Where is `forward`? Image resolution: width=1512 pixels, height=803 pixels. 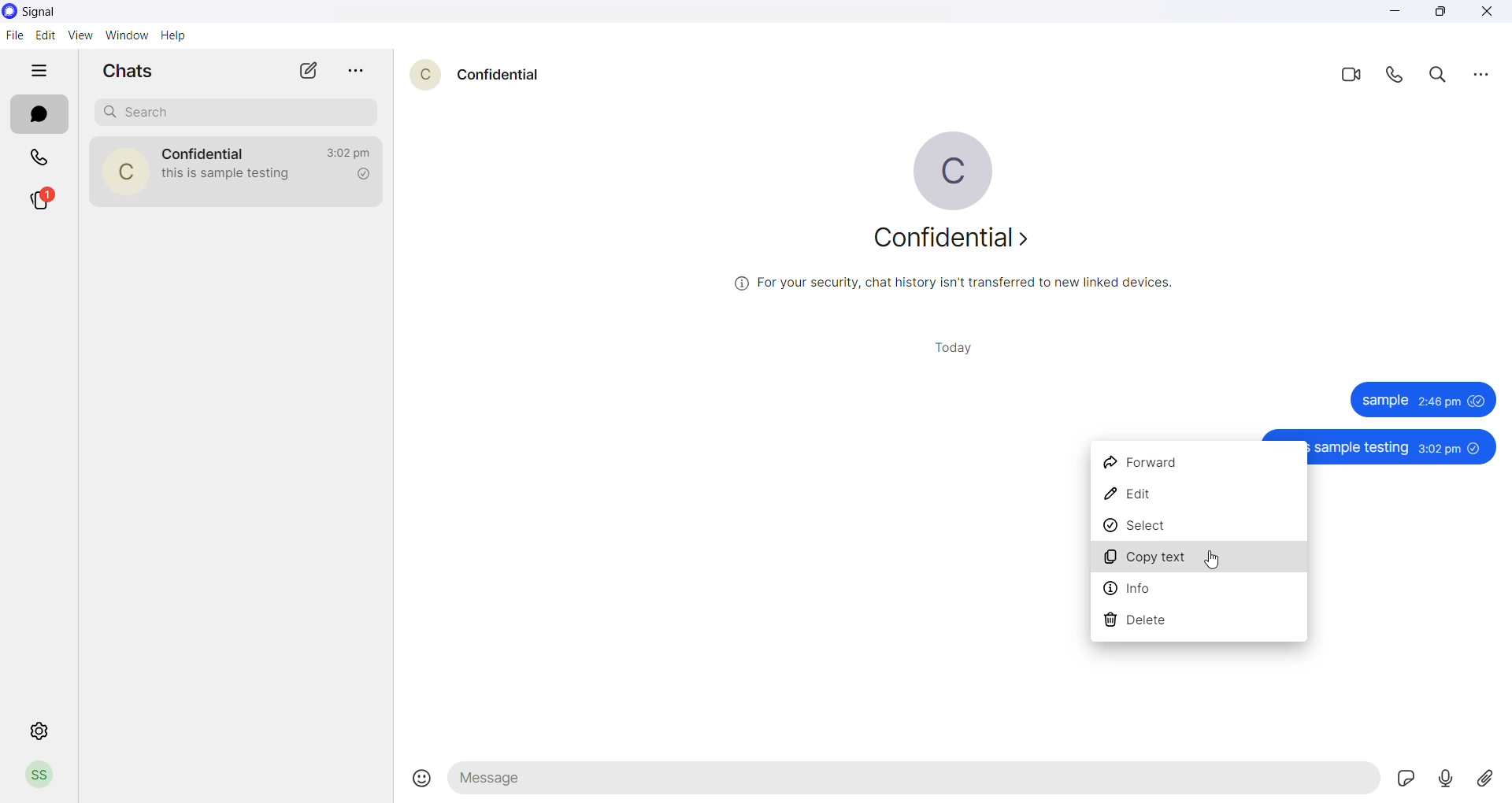
forward is located at coordinates (1195, 459).